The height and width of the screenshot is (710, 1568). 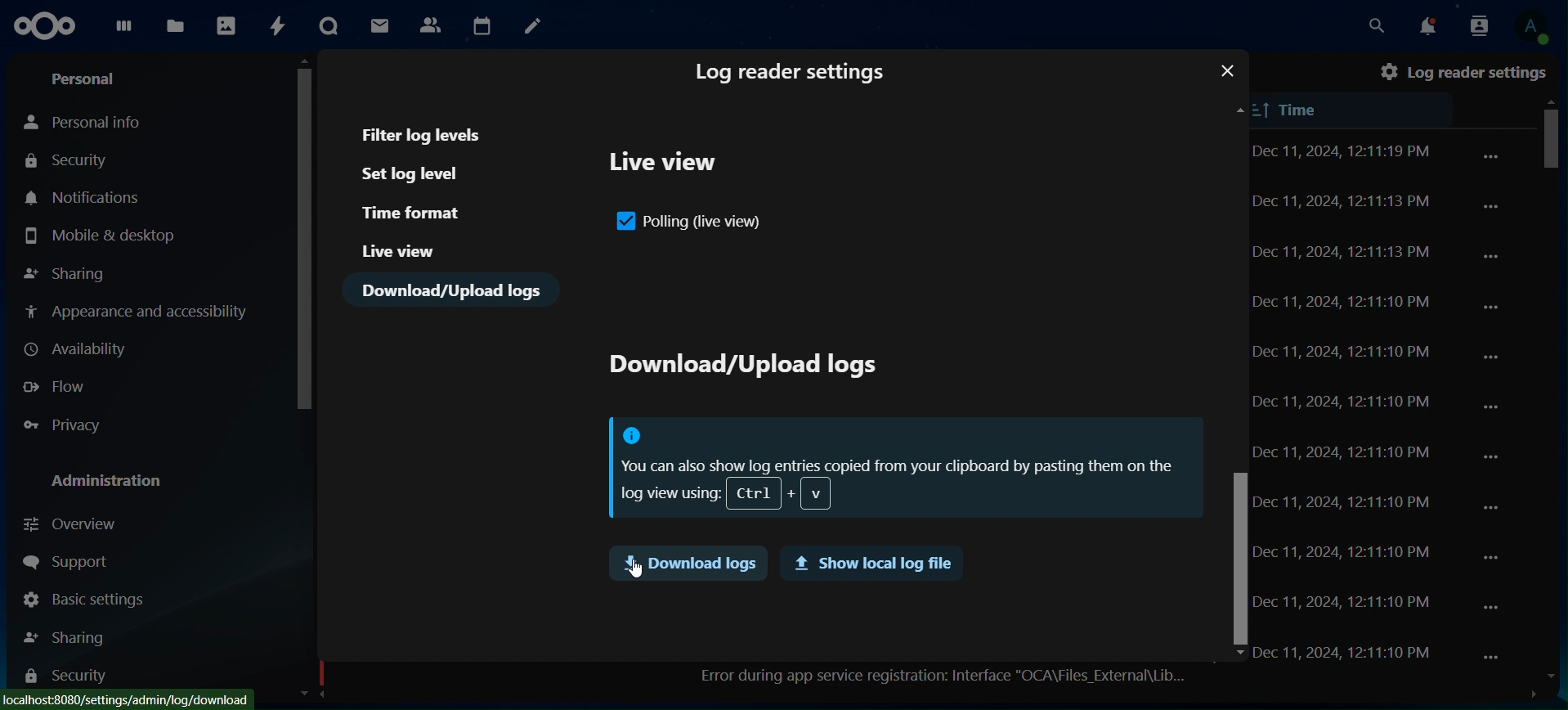 I want to click on icon, so click(x=48, y=26).